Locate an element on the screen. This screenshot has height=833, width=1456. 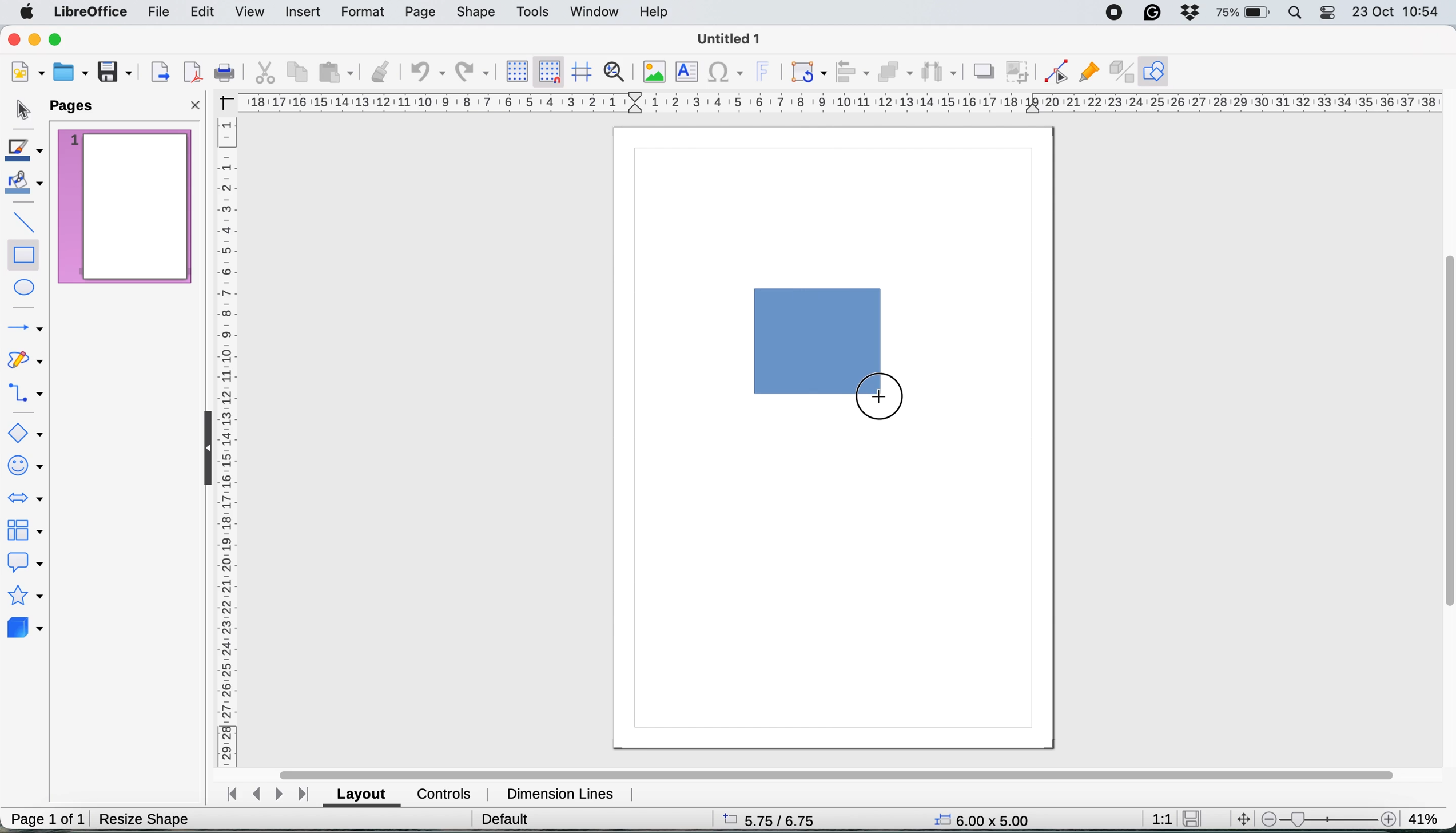
hortizonal scale is located at coordinates (842, 101).